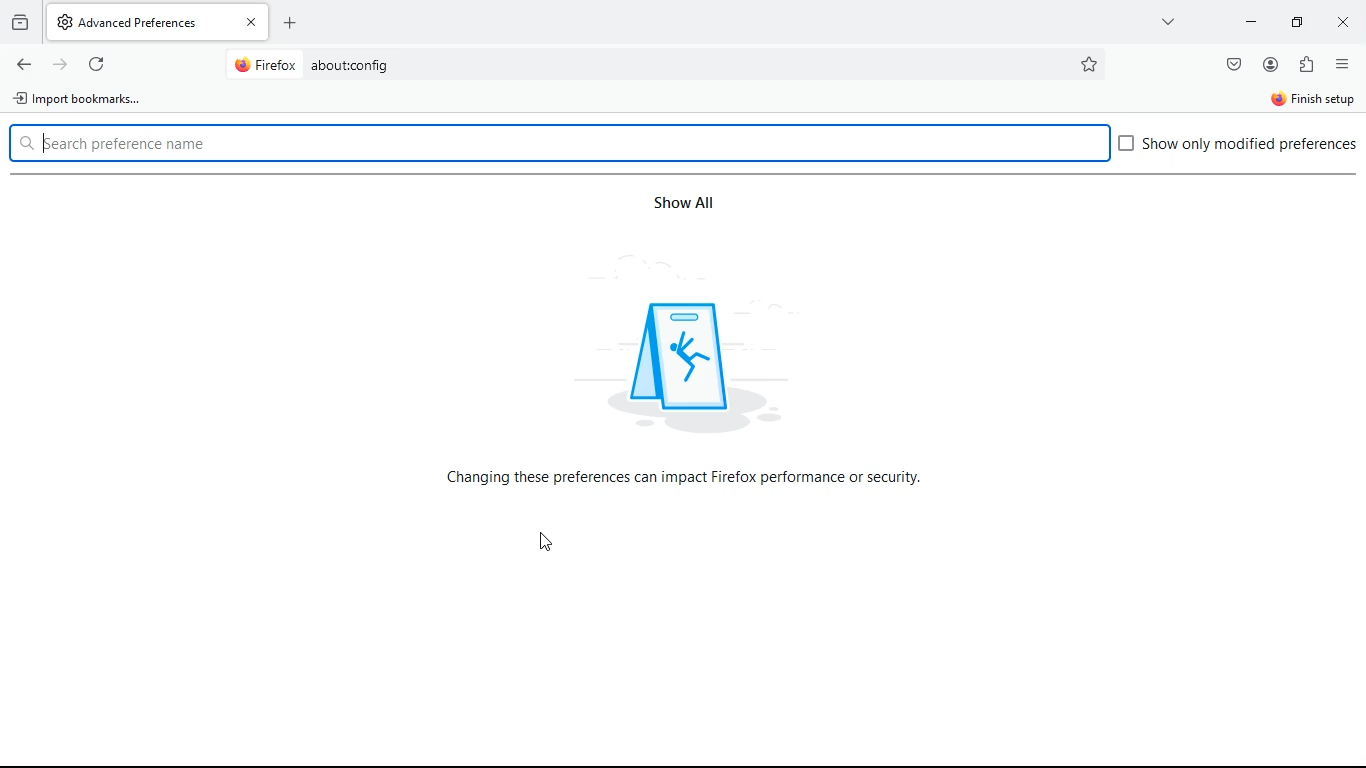 Image resolution: width=1366 pixels, height=768 pixels. What do you see at coordinates (348, 65) in the screenshot?
I see `about:config` at bounding box center [348, 65].